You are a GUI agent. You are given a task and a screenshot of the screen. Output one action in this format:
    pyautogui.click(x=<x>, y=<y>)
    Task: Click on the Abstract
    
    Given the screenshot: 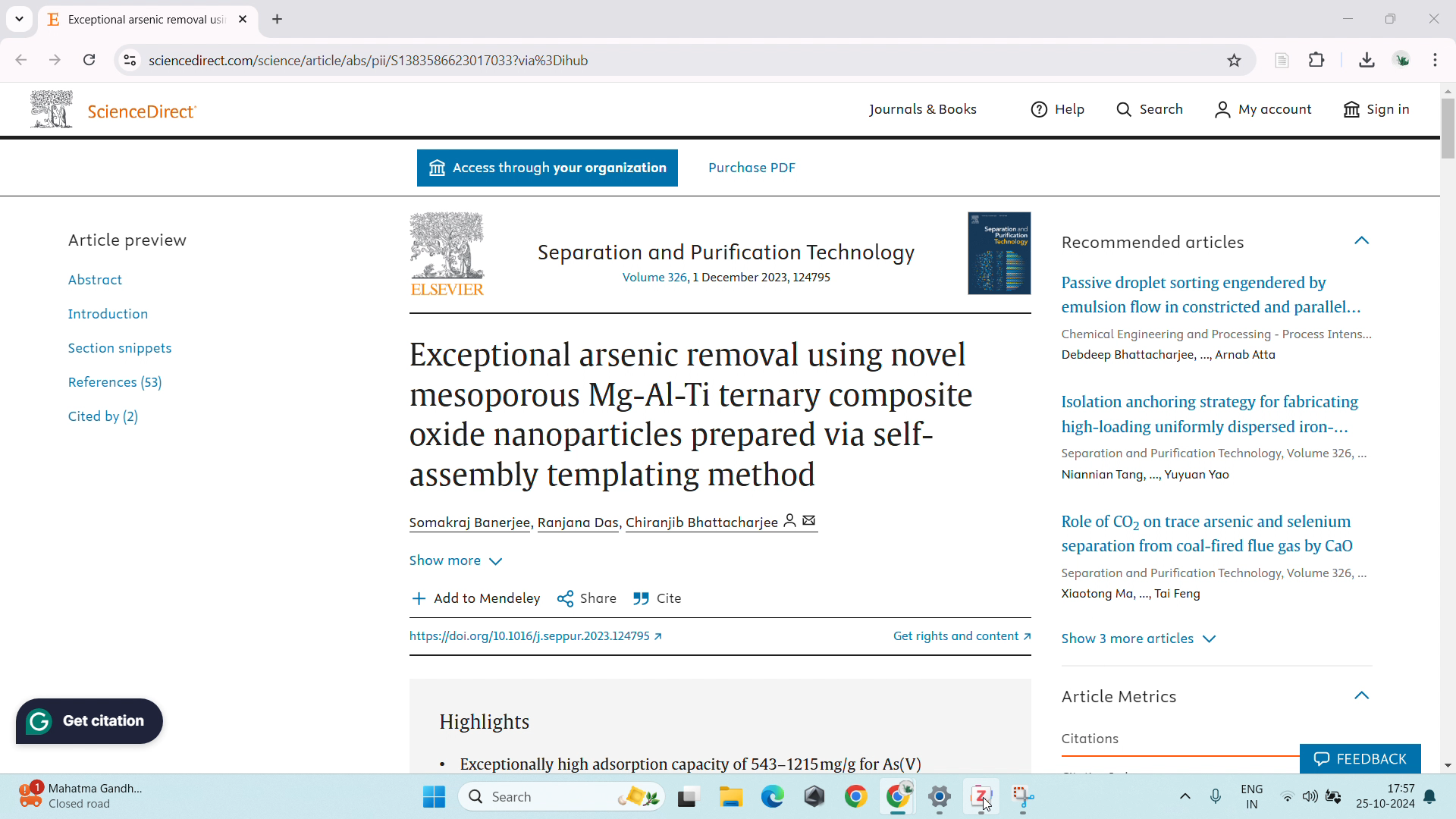 What is the action you would take?
    pyautogui.click(x=103, y=278)
    